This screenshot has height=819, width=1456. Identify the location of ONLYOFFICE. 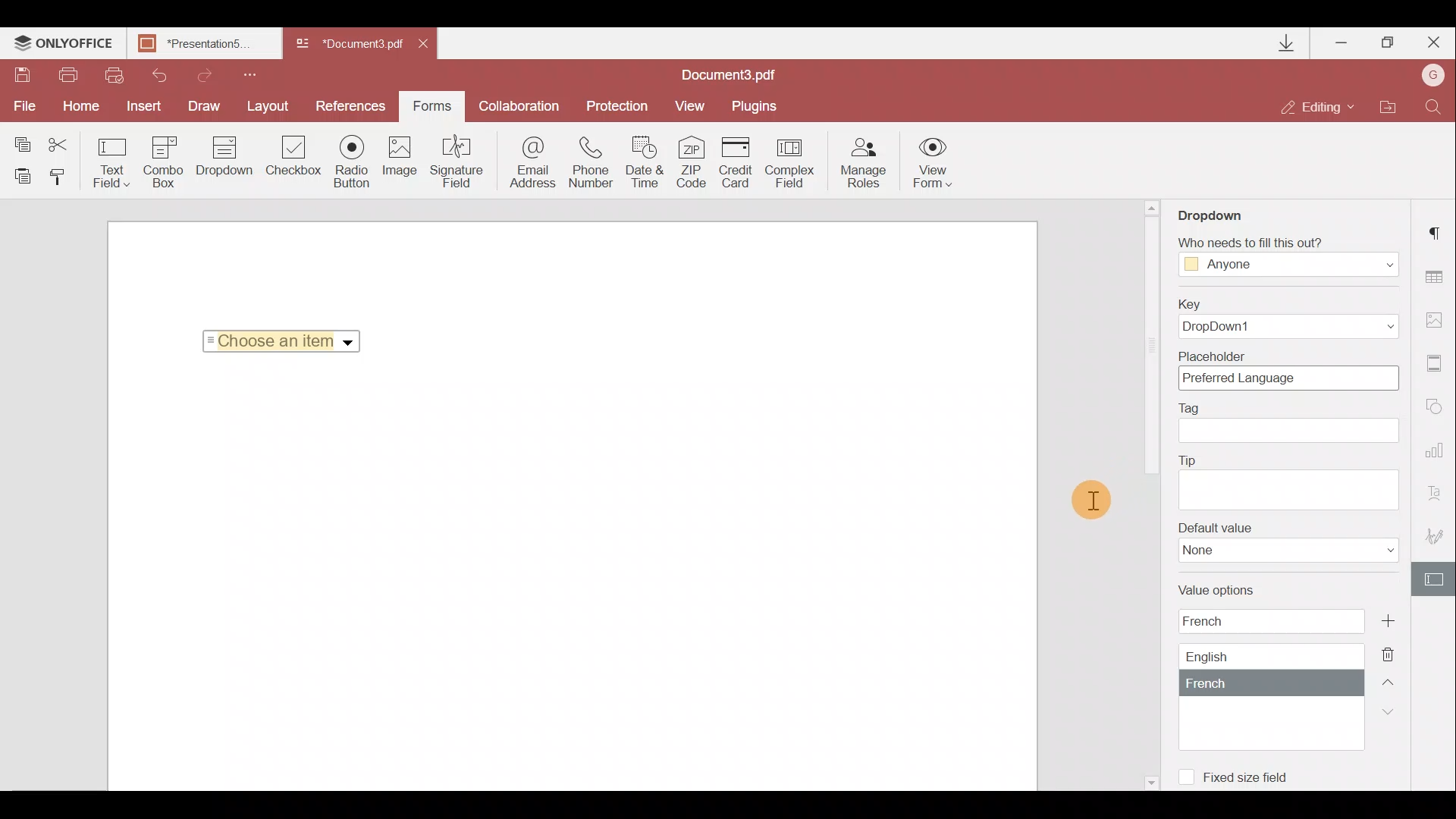
(64, 45).